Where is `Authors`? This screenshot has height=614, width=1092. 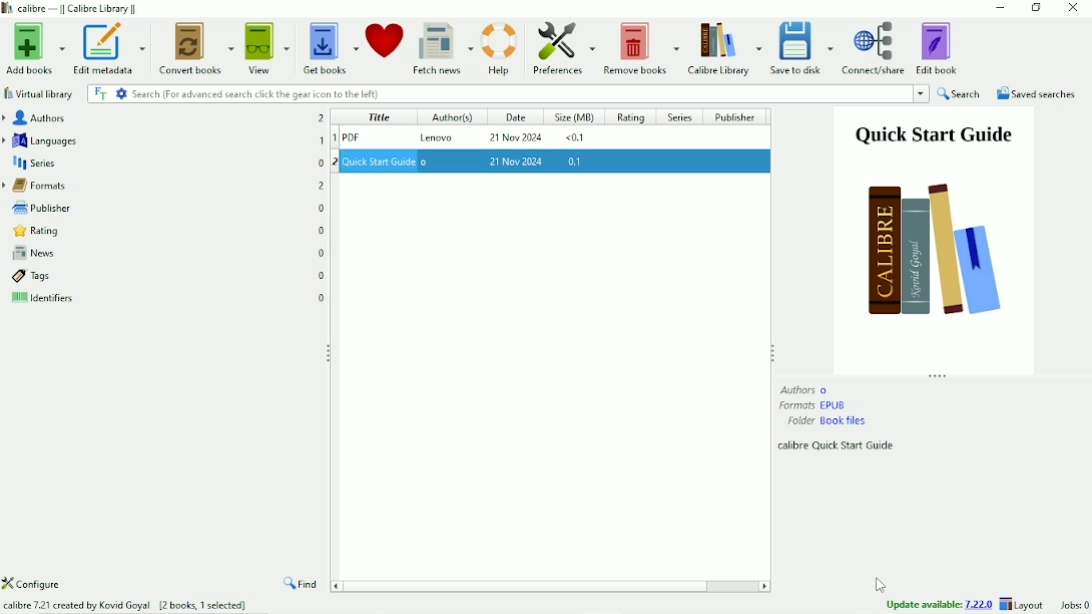
Authors is located at coordinates (805, 389).